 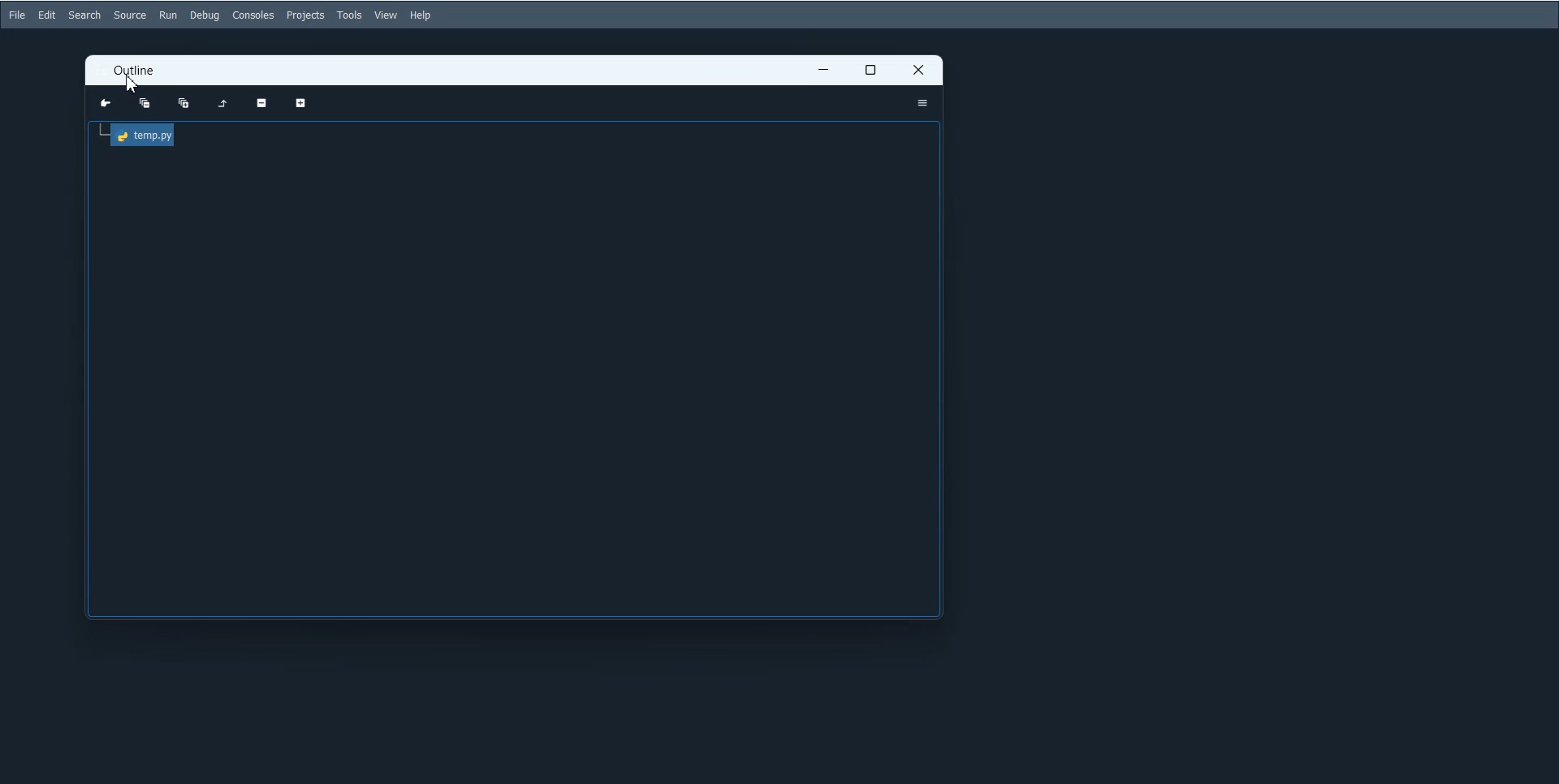 I want to click on Projects, so click(x=305, y=15).